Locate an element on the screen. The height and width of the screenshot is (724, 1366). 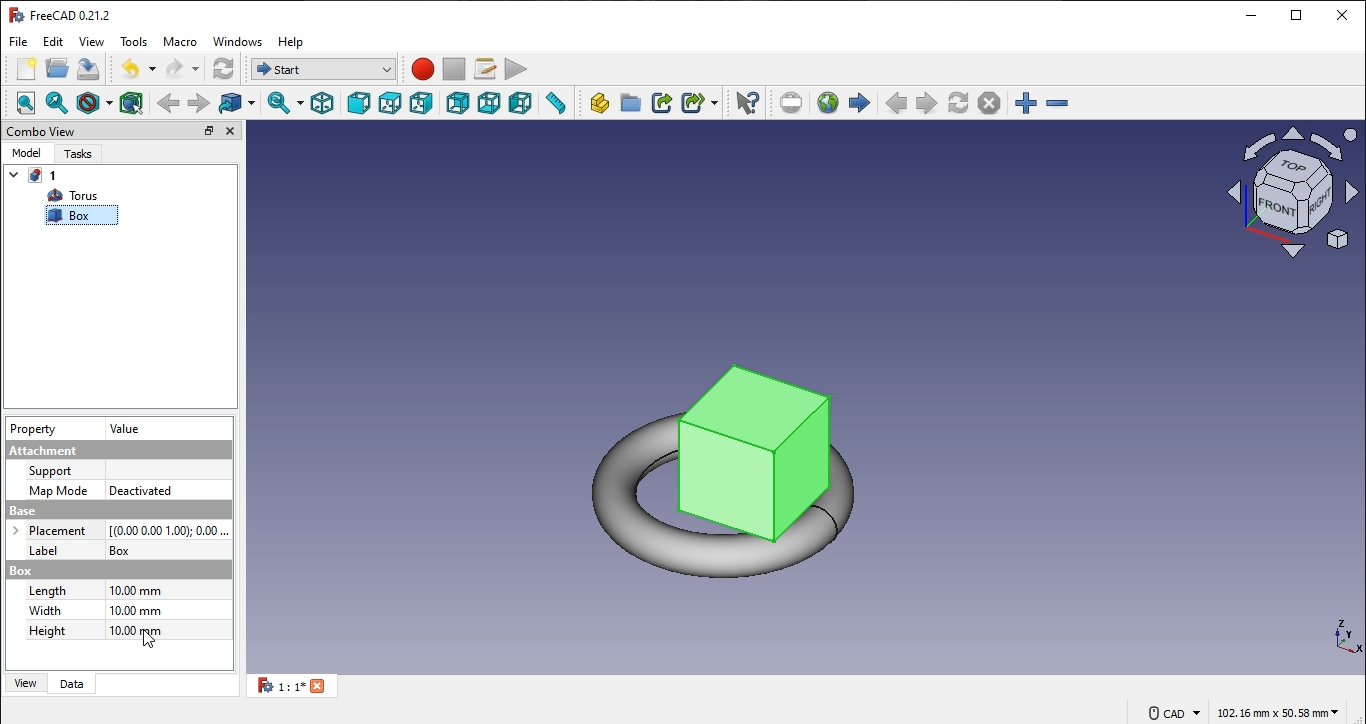
draw style is located at coordinates (96, 103).